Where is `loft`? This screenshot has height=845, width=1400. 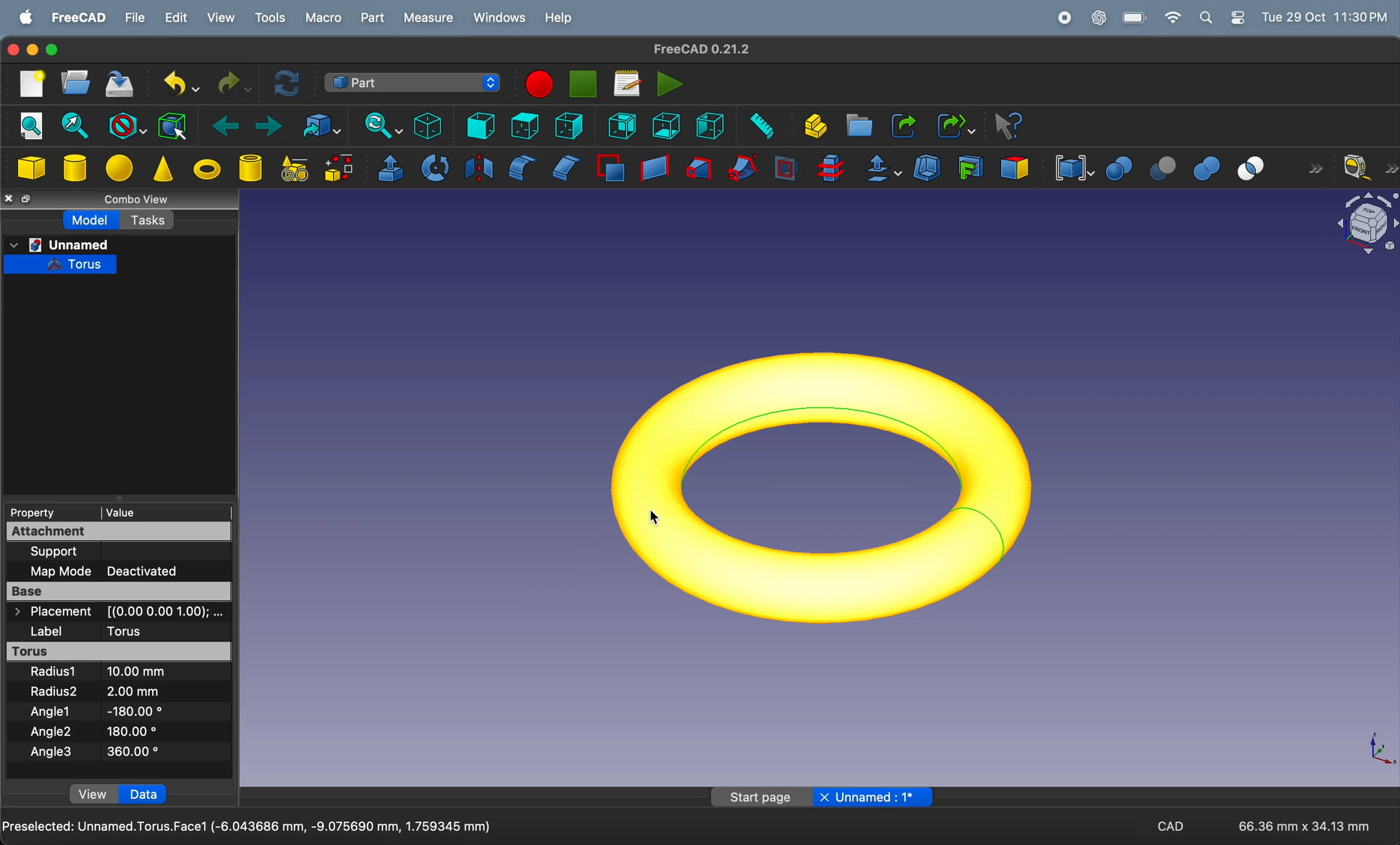
loft is located at coordinates (699, 166).